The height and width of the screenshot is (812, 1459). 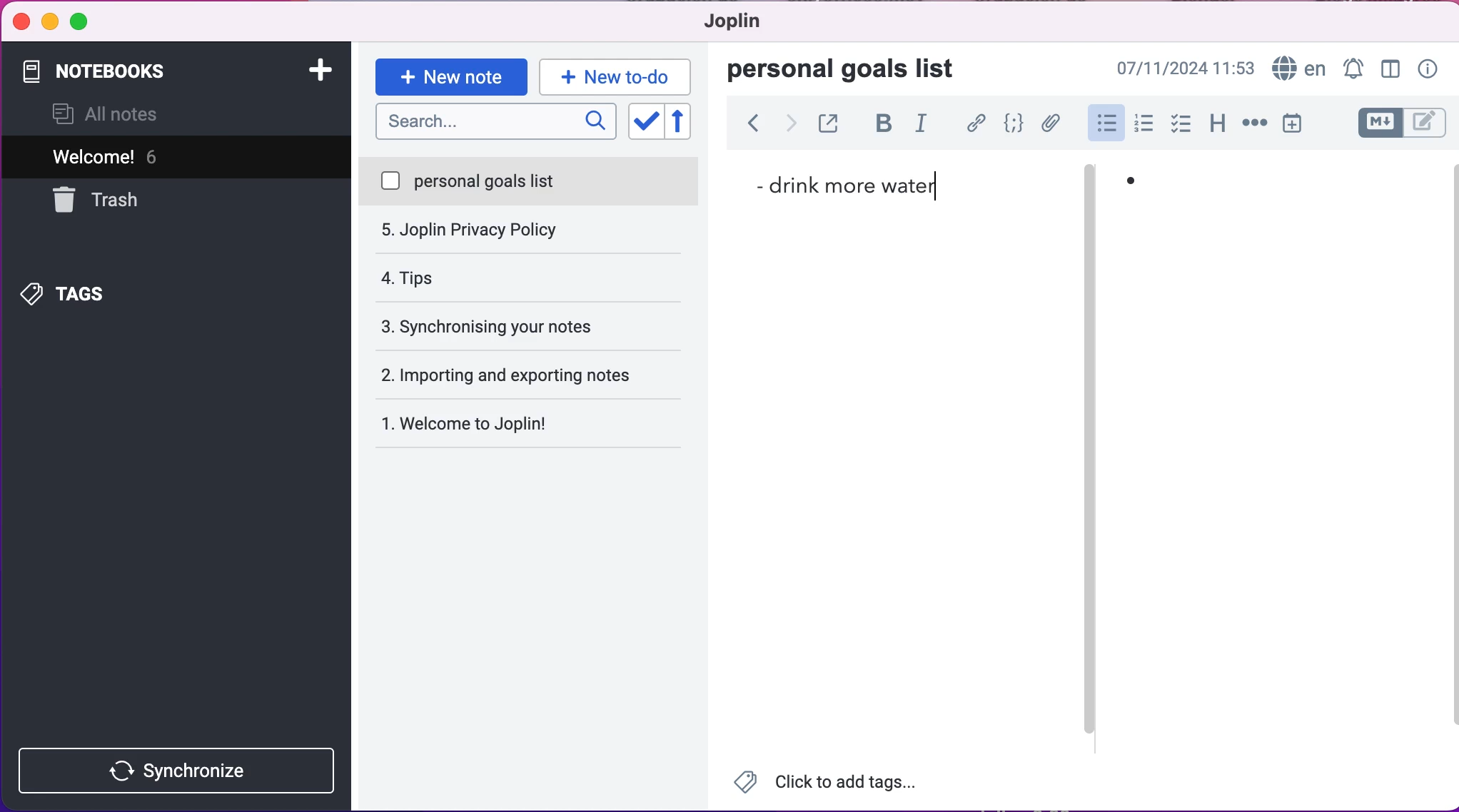 What do you see at coordinates (530, 182) in the screenshot?
I see `personal goals list` at bounding box center [530, 182].